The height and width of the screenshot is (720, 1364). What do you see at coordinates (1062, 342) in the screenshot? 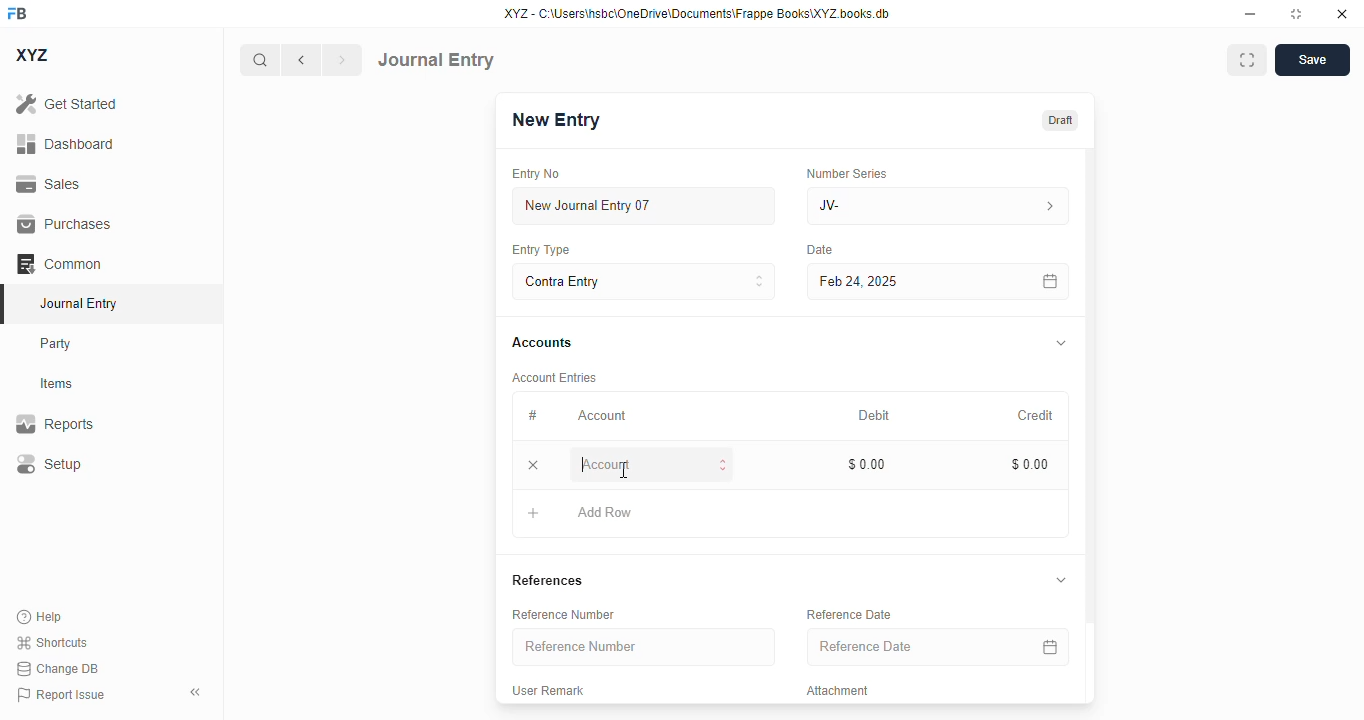
I see `toggle expand/collapse` at bounding box center [1062, 342].